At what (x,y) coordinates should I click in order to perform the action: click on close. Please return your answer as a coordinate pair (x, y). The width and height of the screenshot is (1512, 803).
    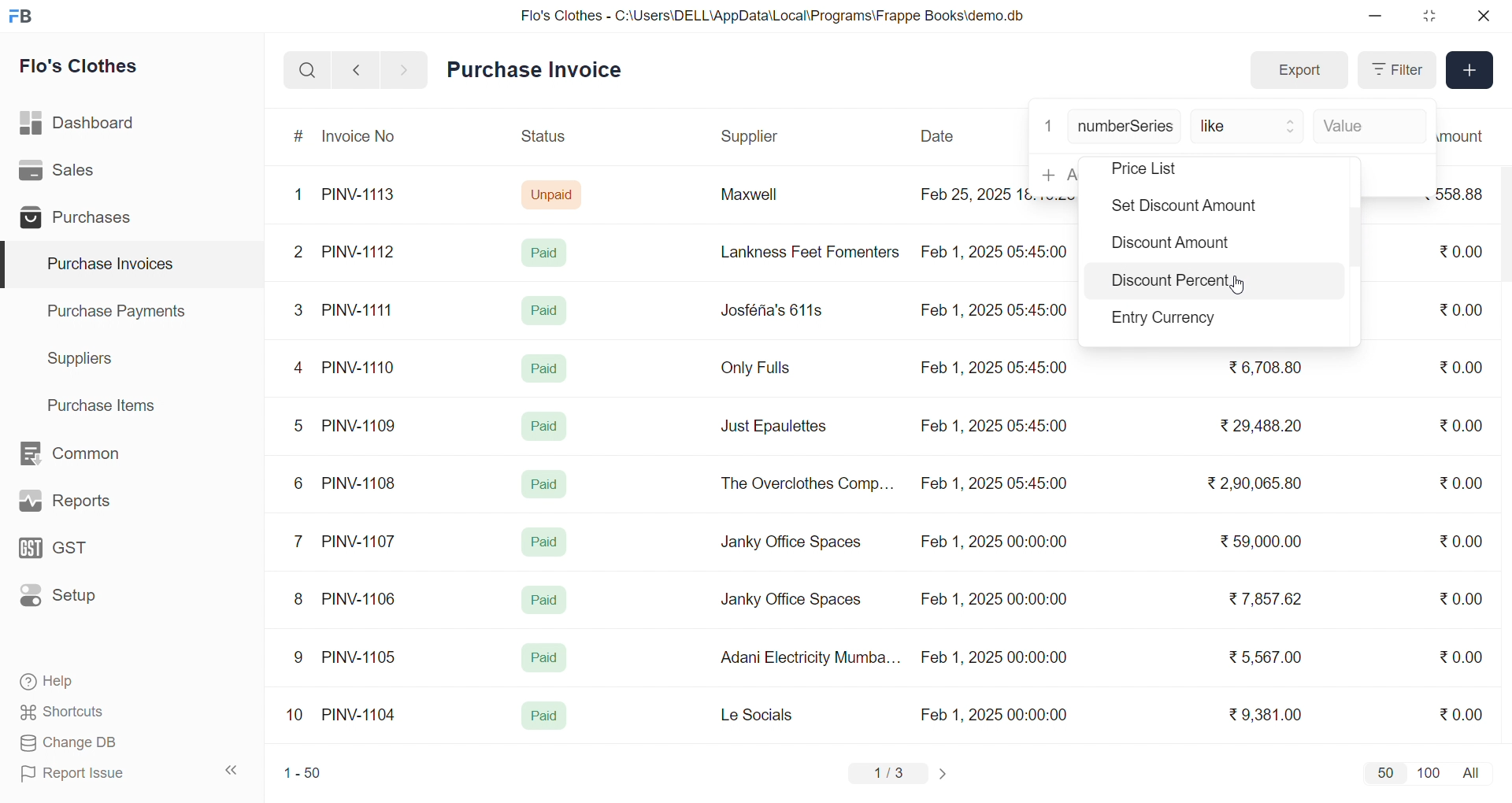
    Looking at the image, I should click on (1482, 16).